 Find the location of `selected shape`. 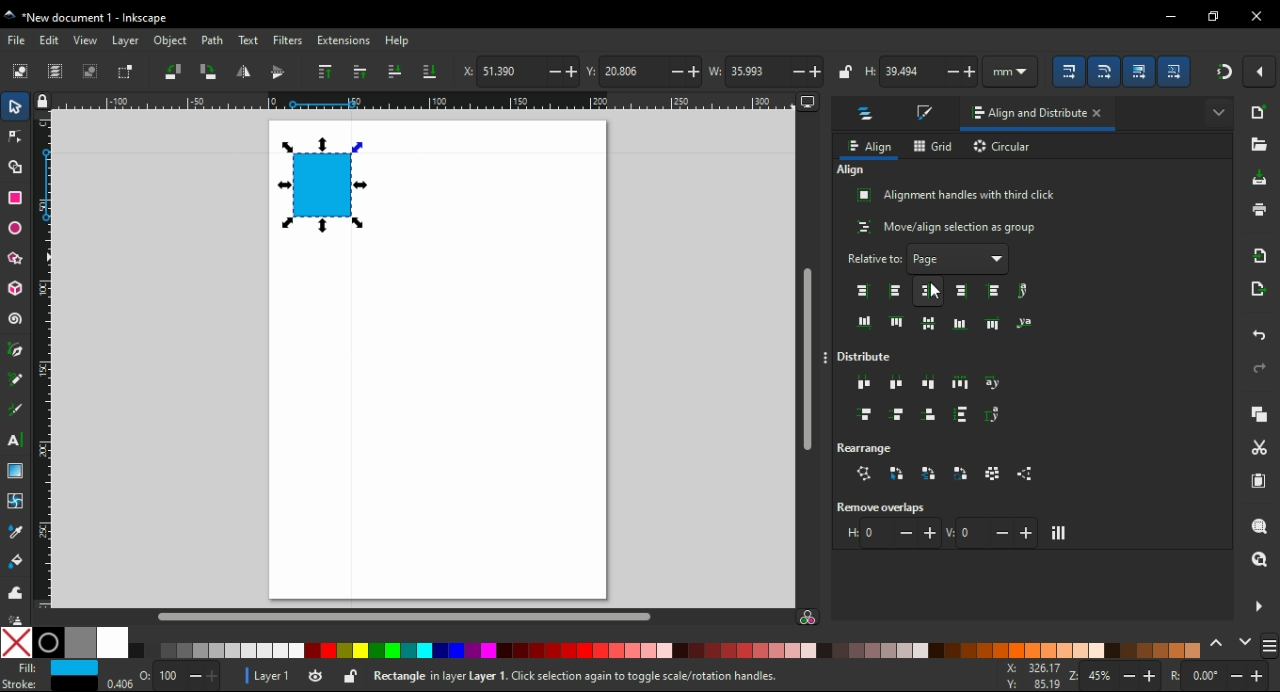

selected shape is located at coordinates (320, 185).